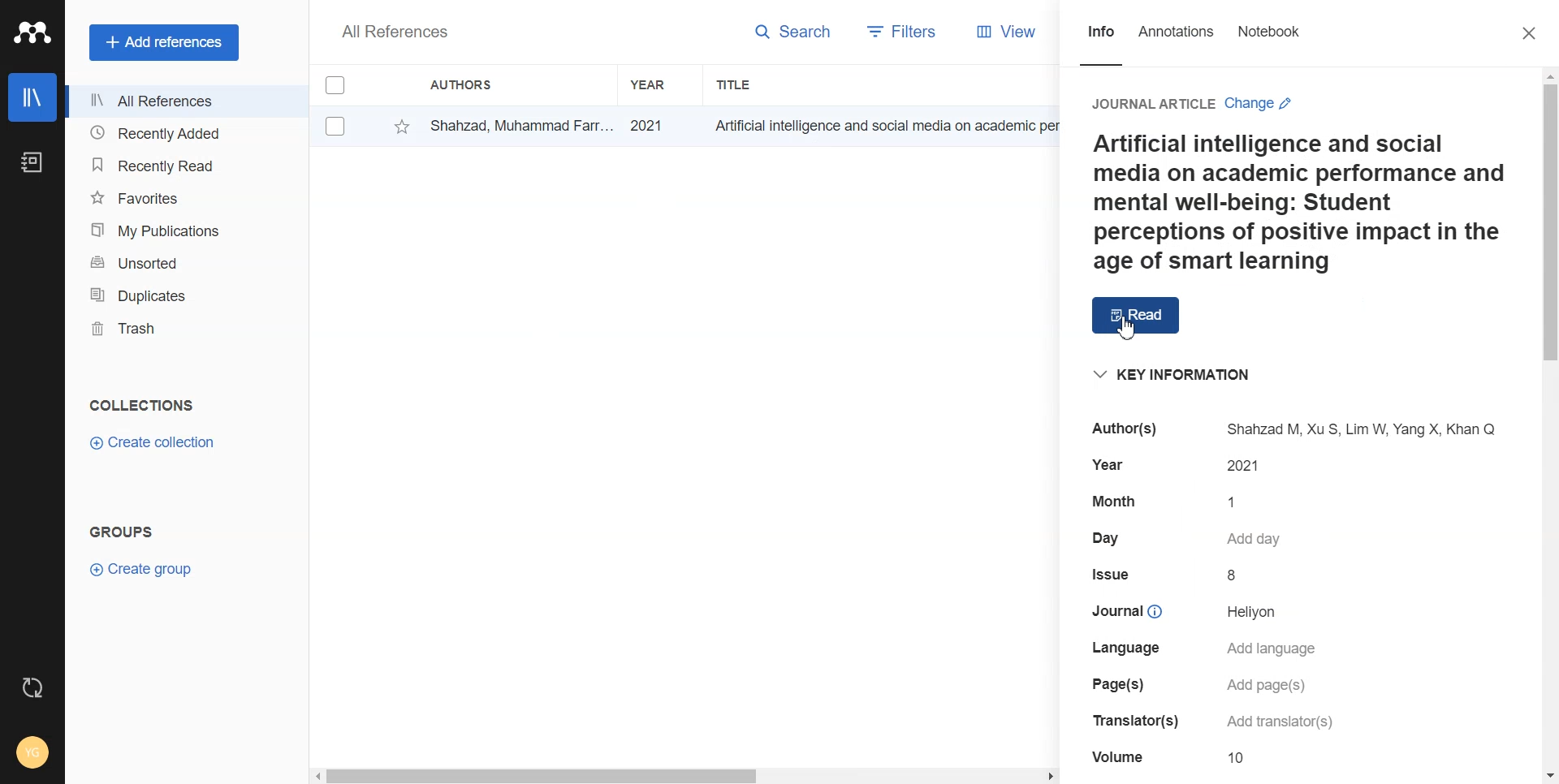 The width and height of the screenshot is (1559, 784). I want to click on My Publication, so click(182, 230).